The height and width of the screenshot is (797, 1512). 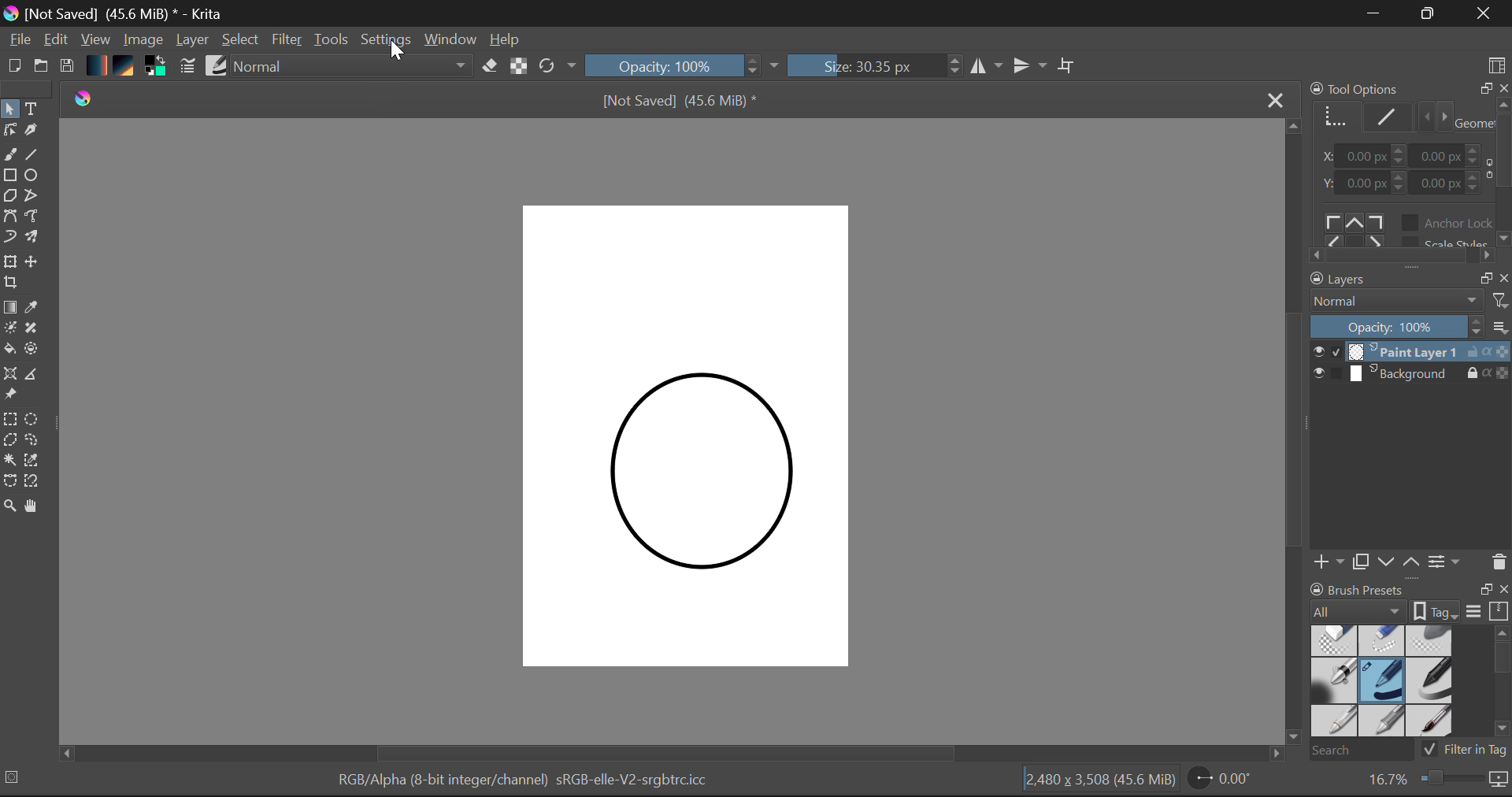 I want to click on logo, so click(x=84, y=95).